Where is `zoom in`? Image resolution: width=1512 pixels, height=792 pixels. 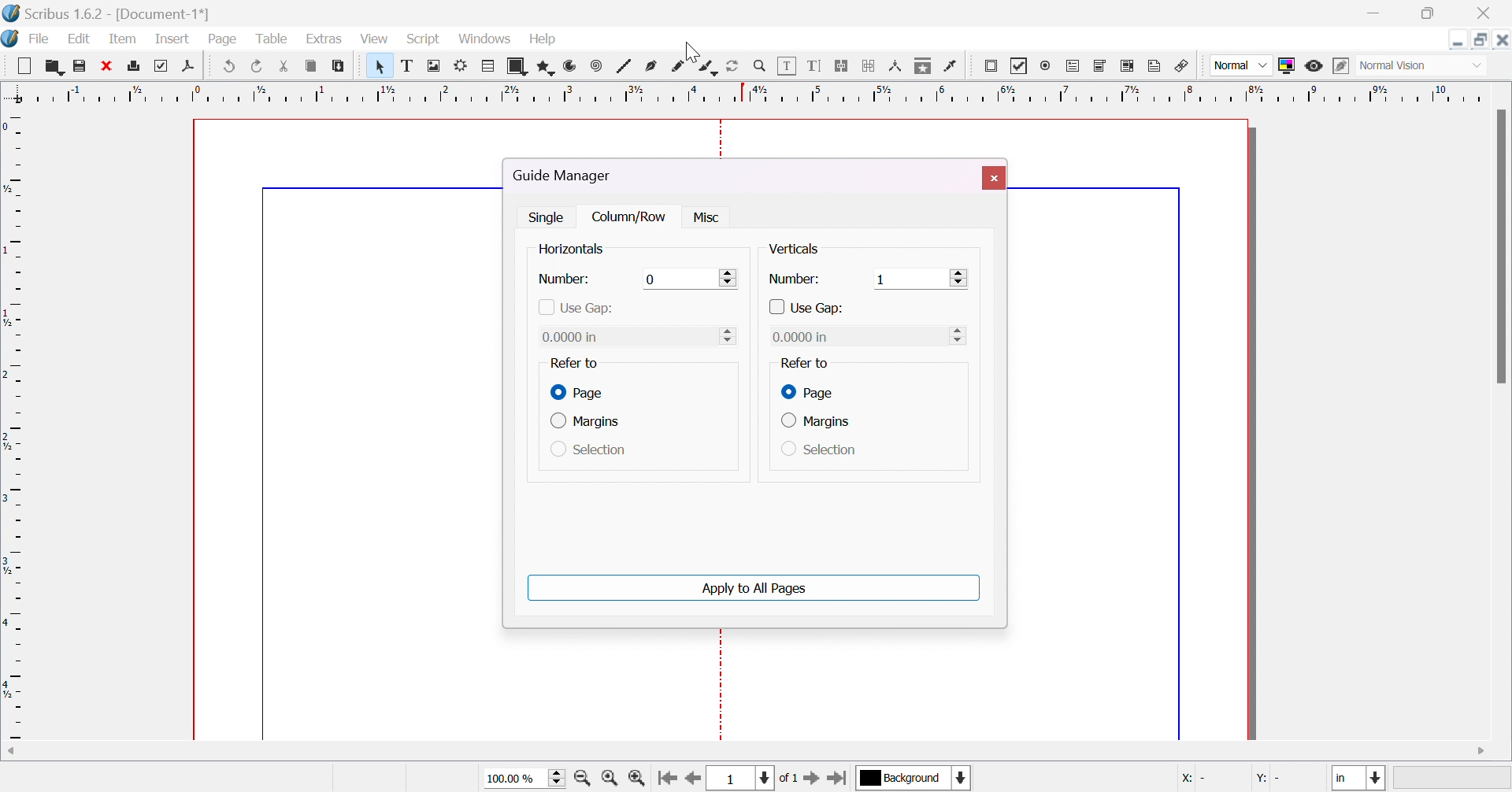
zoom in is located at coordinates (638, 777).